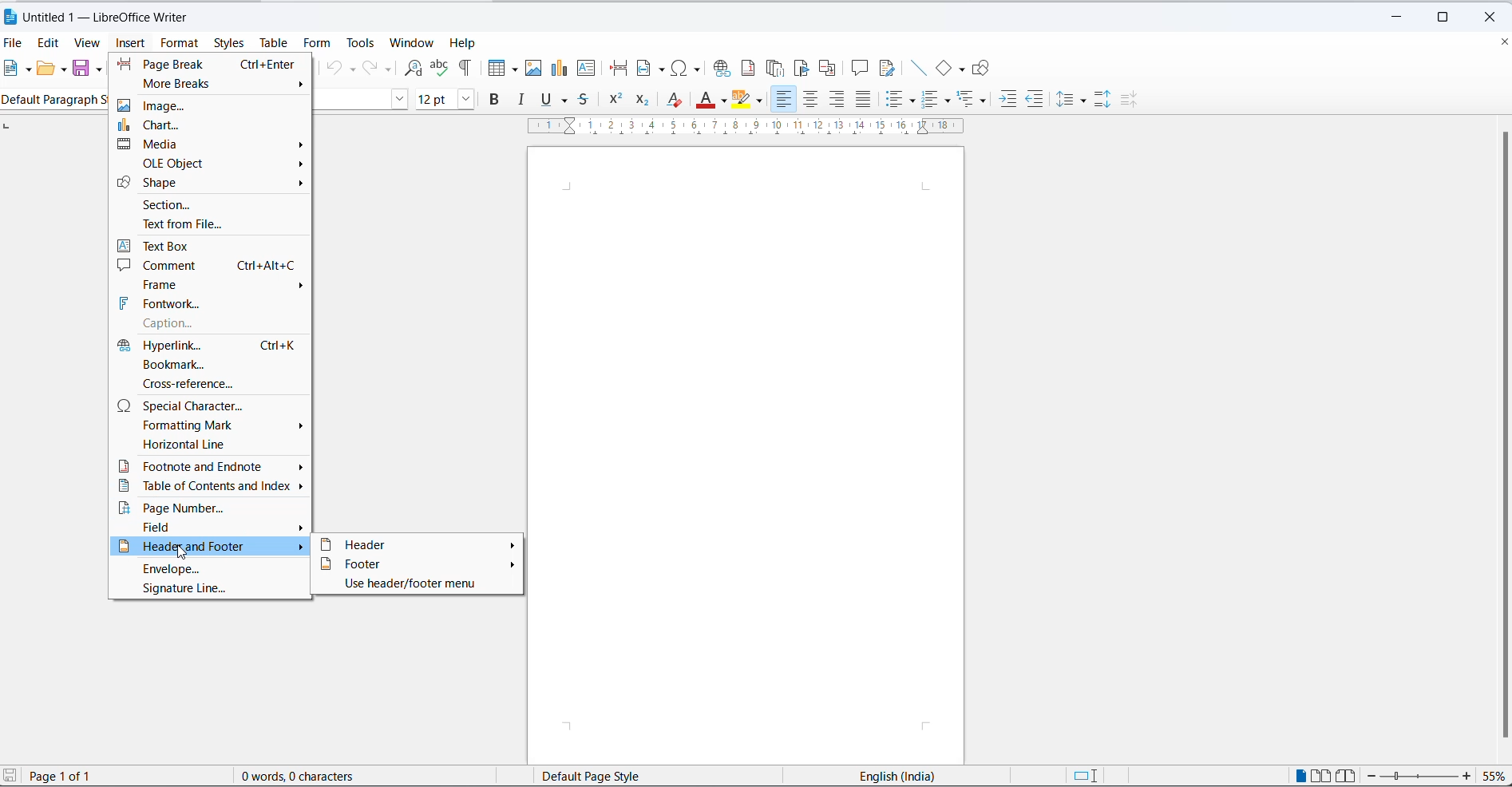  I want to click on insert images, so click(534, 68).